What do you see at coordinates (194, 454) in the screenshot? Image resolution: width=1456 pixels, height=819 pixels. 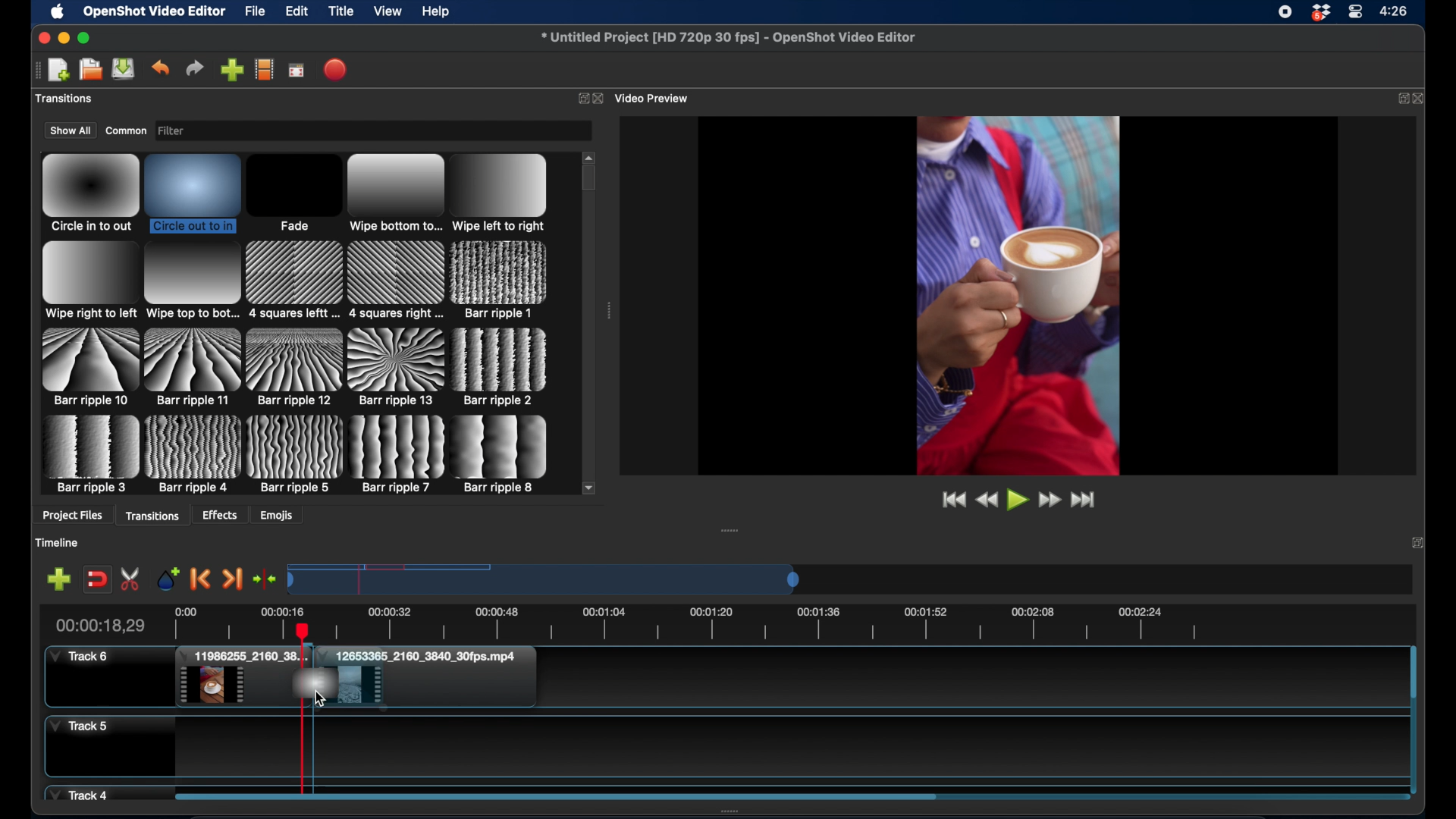 I see `transition` at bounding box center [194, 454].